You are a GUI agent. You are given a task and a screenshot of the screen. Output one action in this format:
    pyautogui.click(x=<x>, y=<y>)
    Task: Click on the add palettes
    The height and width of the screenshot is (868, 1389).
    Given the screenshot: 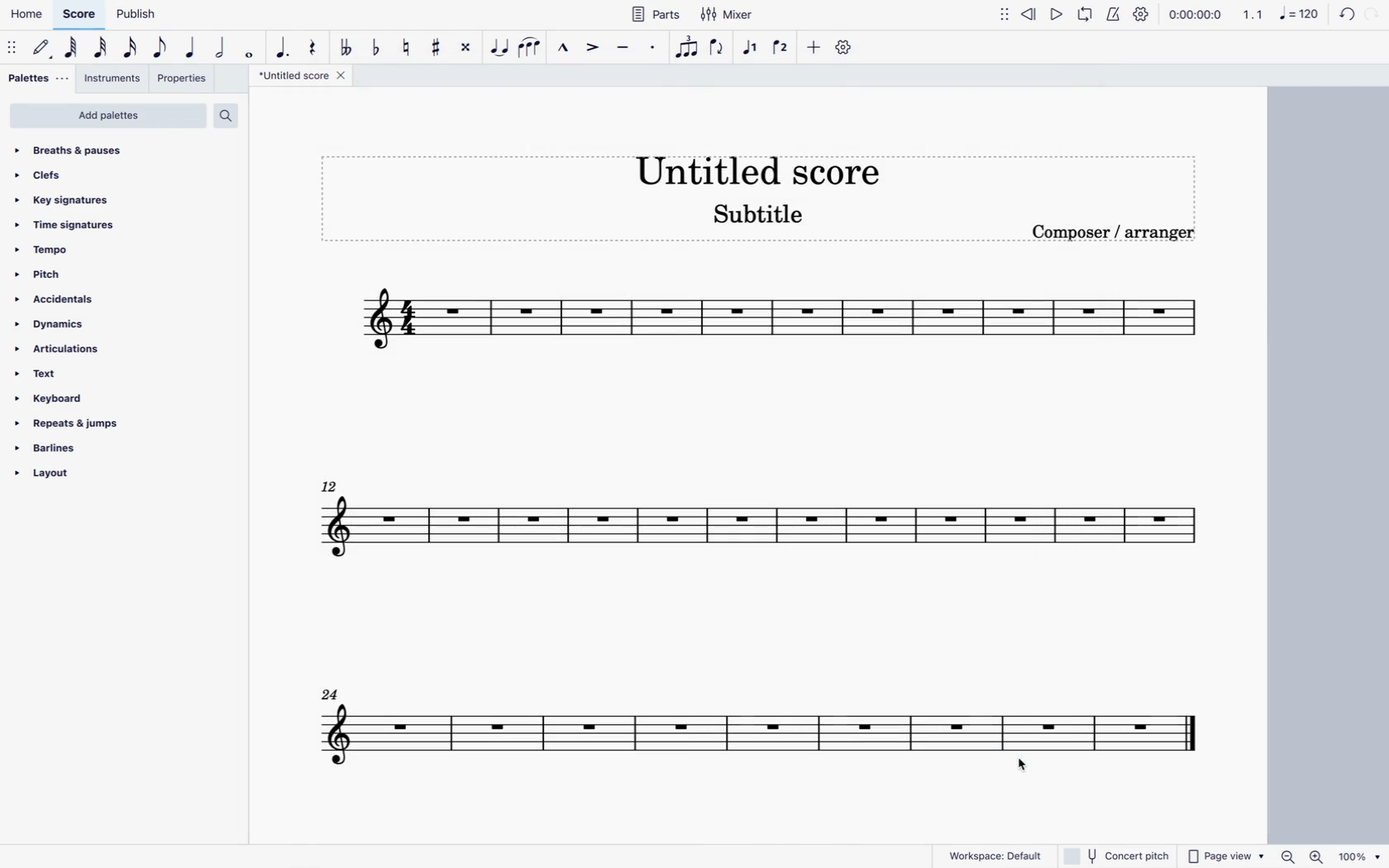 What is the action you would take?
    pyautogui.click(x=107, y=116)
    